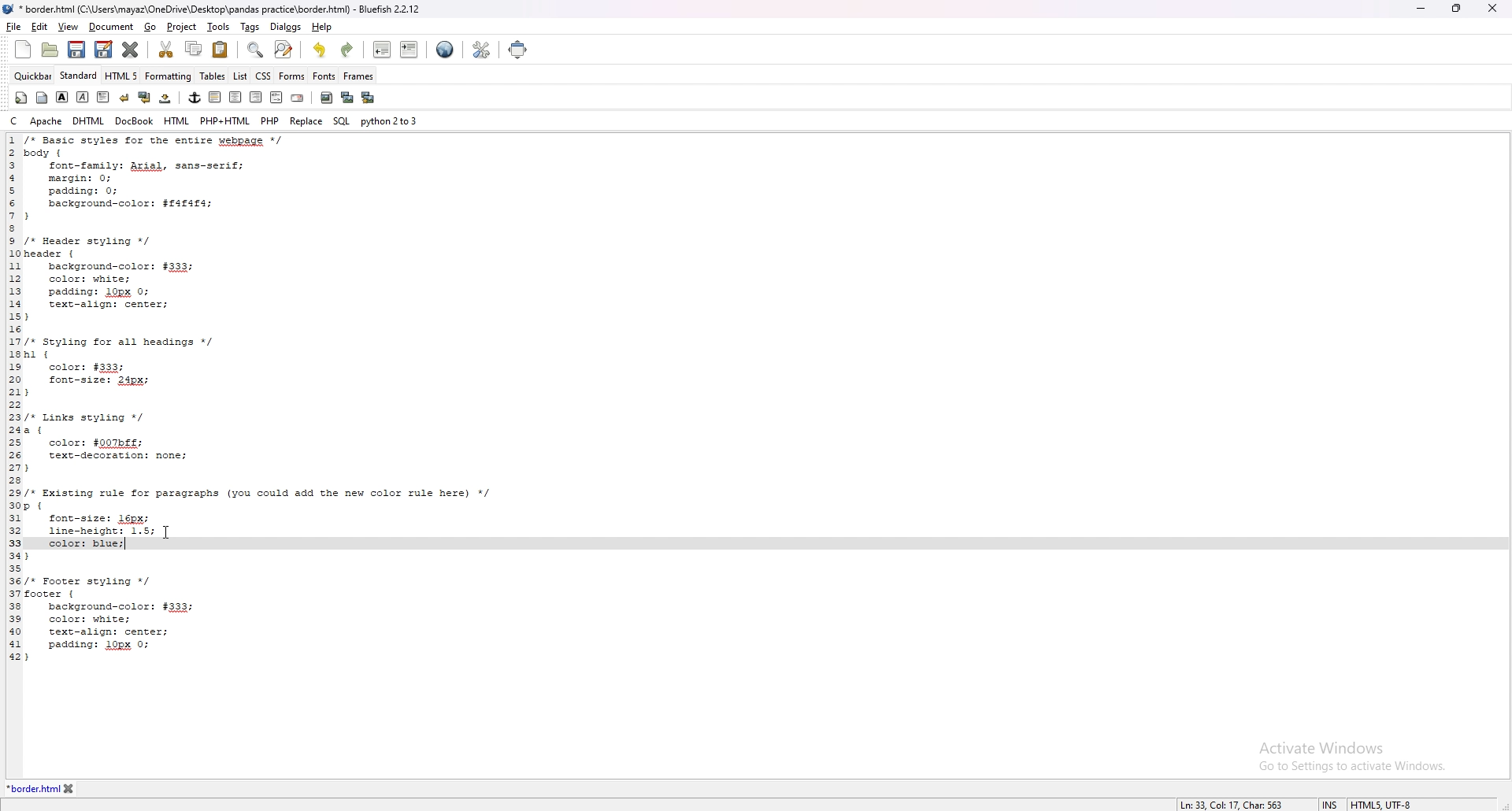 The width and height of the screenshot is (1512, 811). Describe the element at coordinates (83, 97) in the screenshot. I see `italic` at that location.